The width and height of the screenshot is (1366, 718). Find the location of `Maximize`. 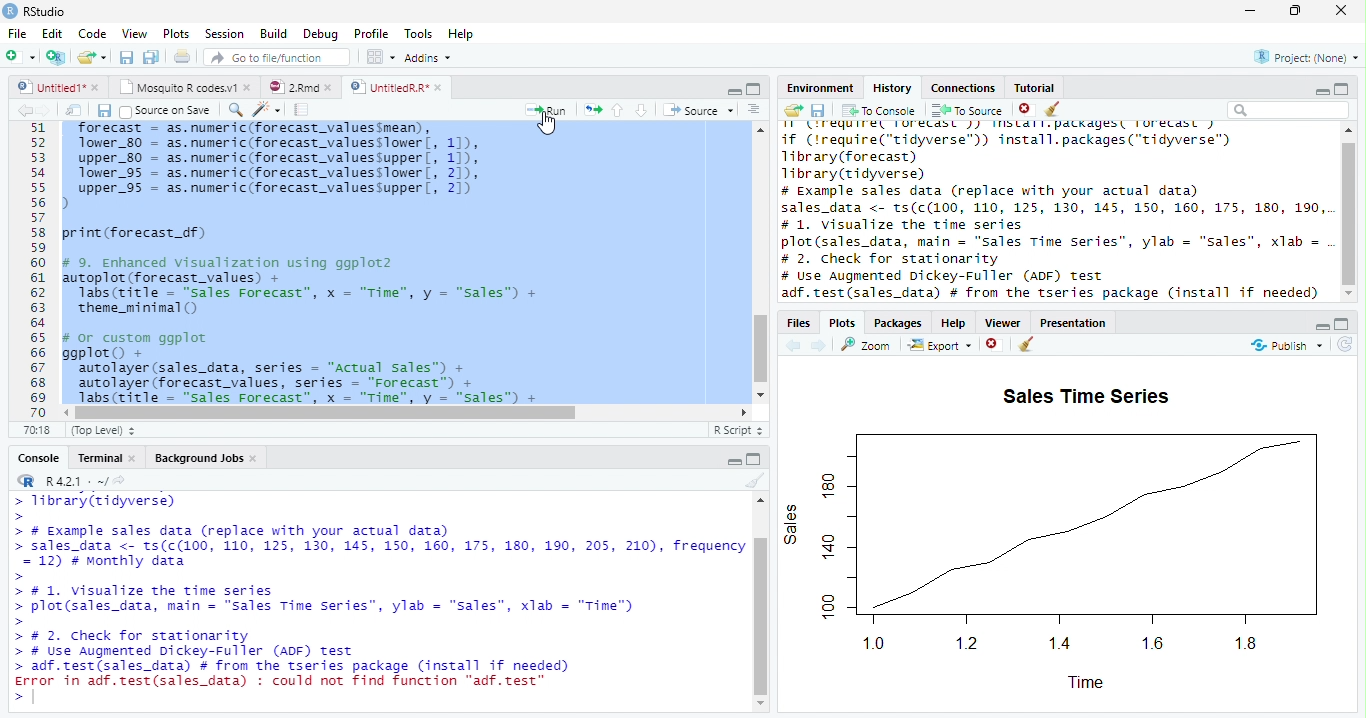

Maximize is located at coordinates (755, 90).